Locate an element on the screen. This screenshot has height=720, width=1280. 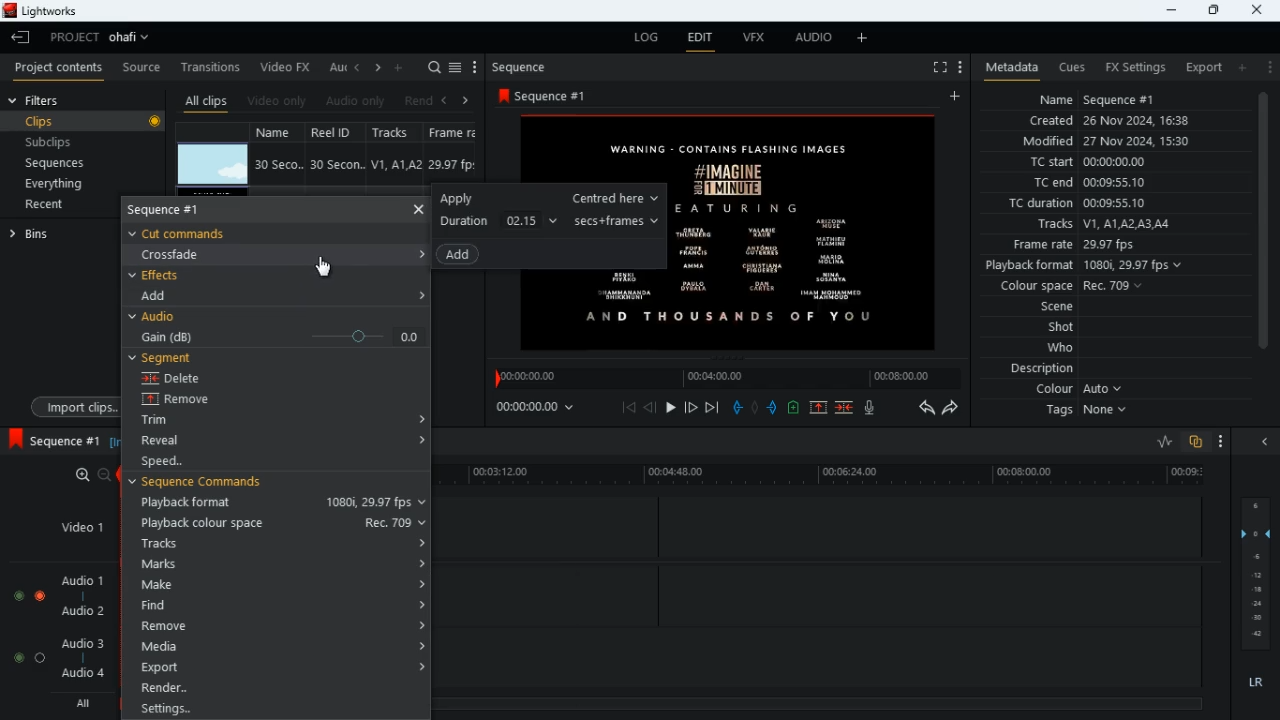
created is located at coordinates (1111, 122).